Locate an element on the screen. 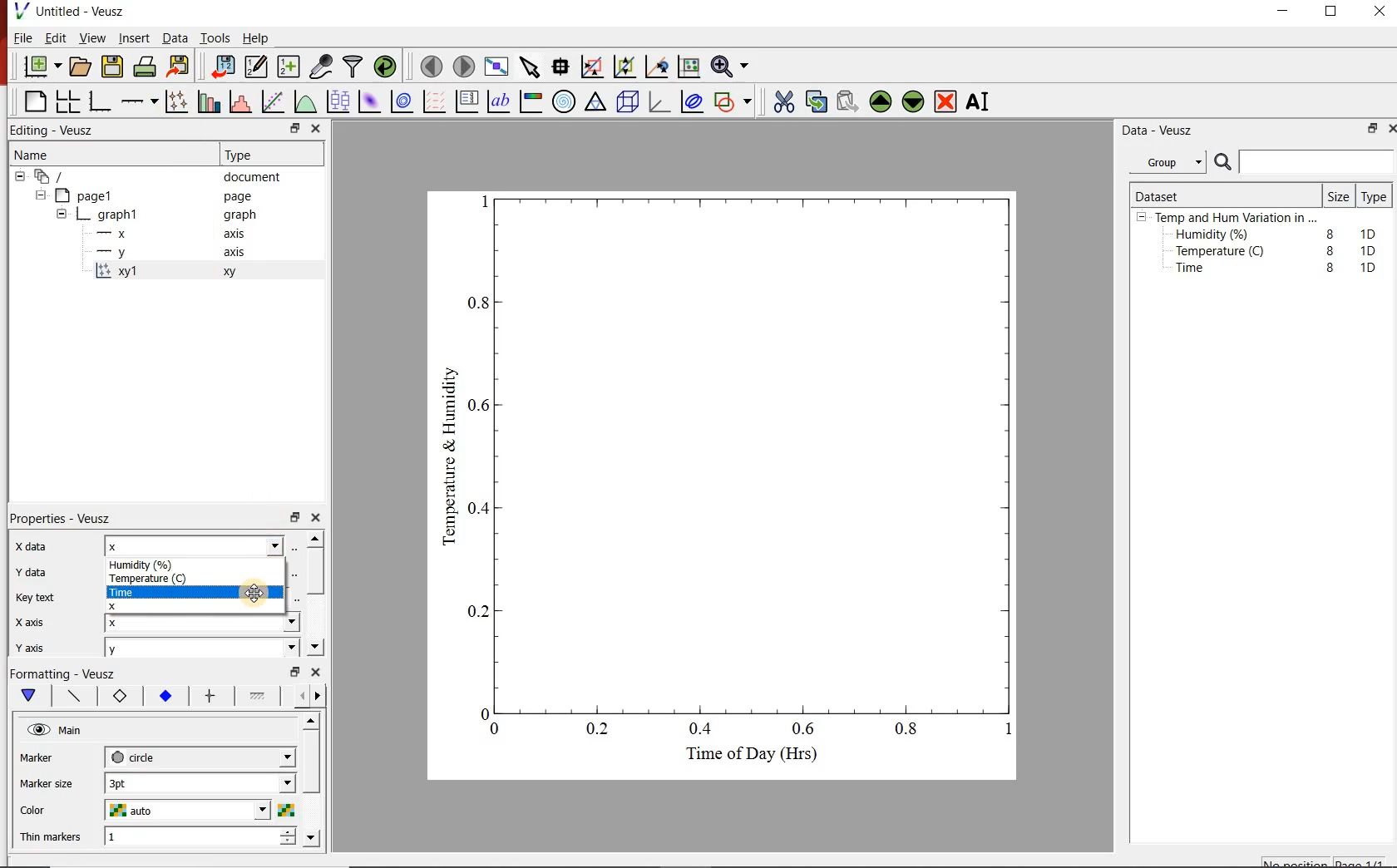 Image resolution: width=1397 pixels, height=868 pixels. hide sub menu is located at coordinates (1142, 219).